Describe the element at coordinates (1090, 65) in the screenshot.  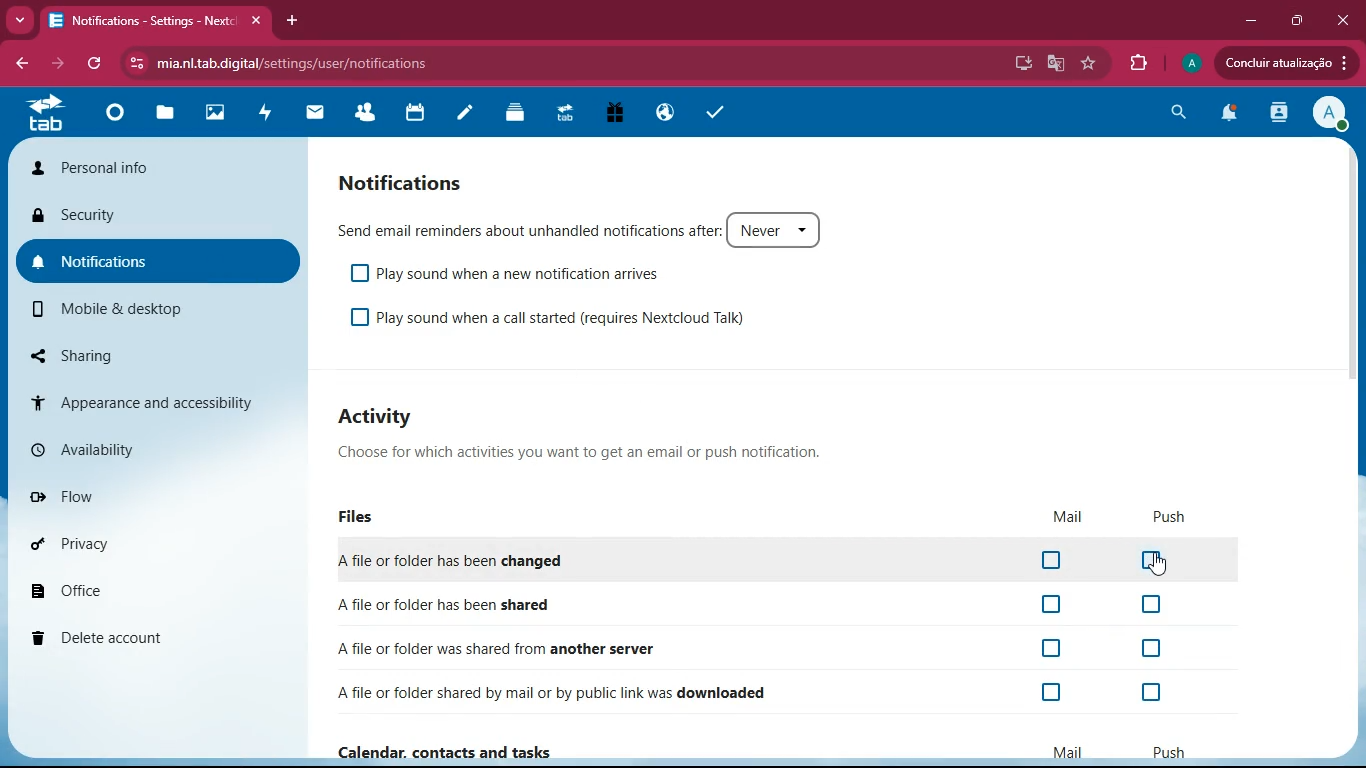
I see `favourite` at that location.